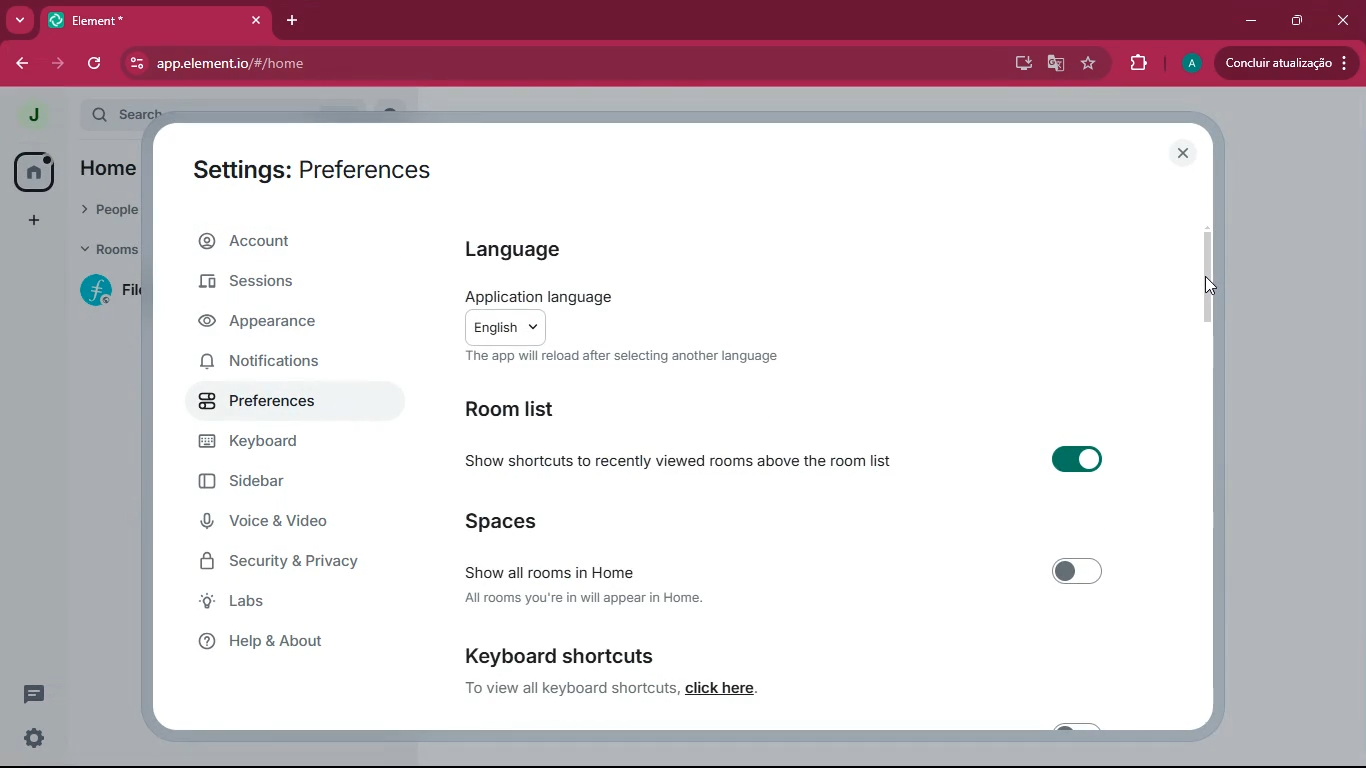 The height and width of the screenshot is (768, 1366). I want to click on appearance, so click(270, 322).